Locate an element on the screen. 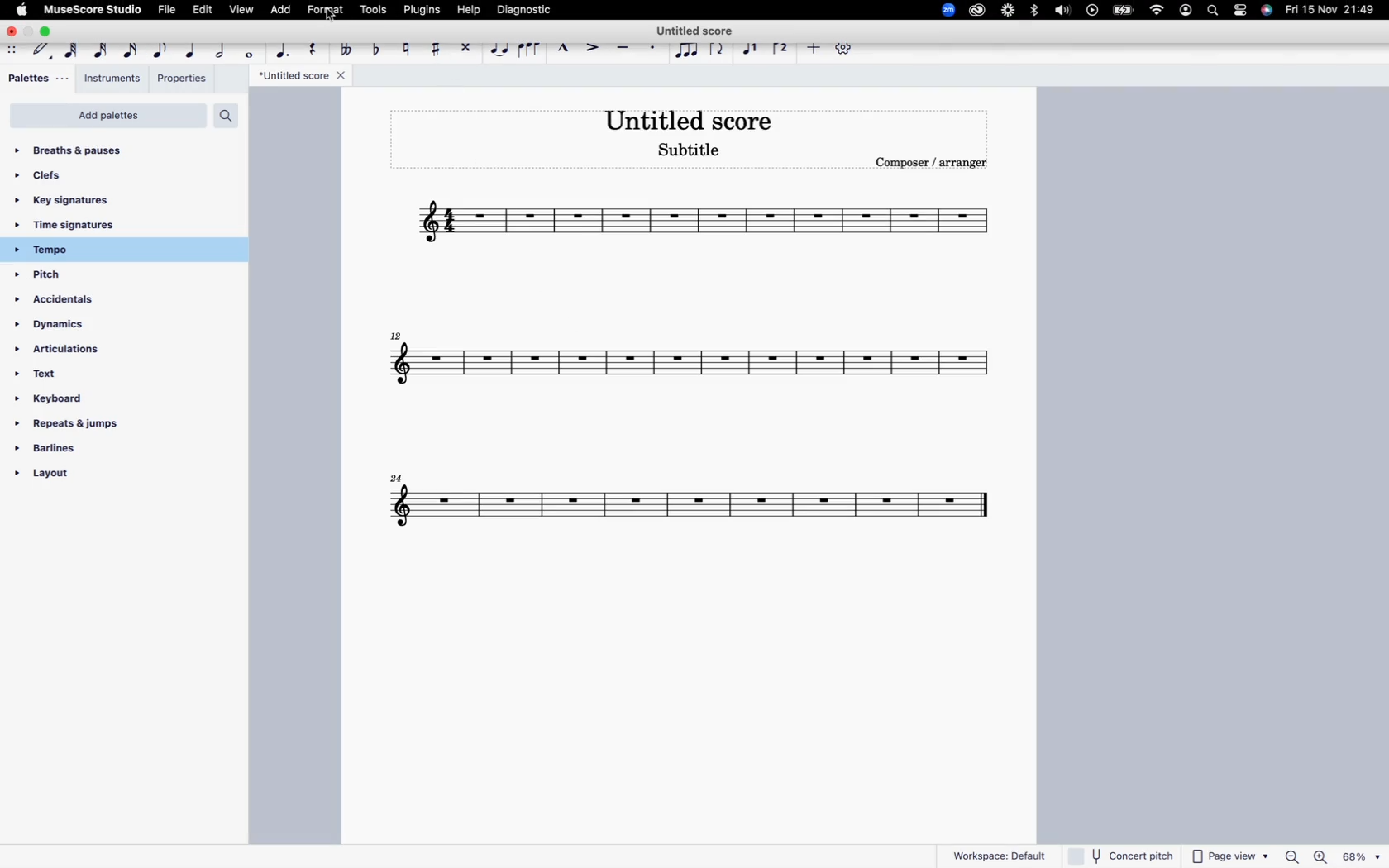 This screenshot has width=1389, height=868. full note is located at coordinates (251, 51).